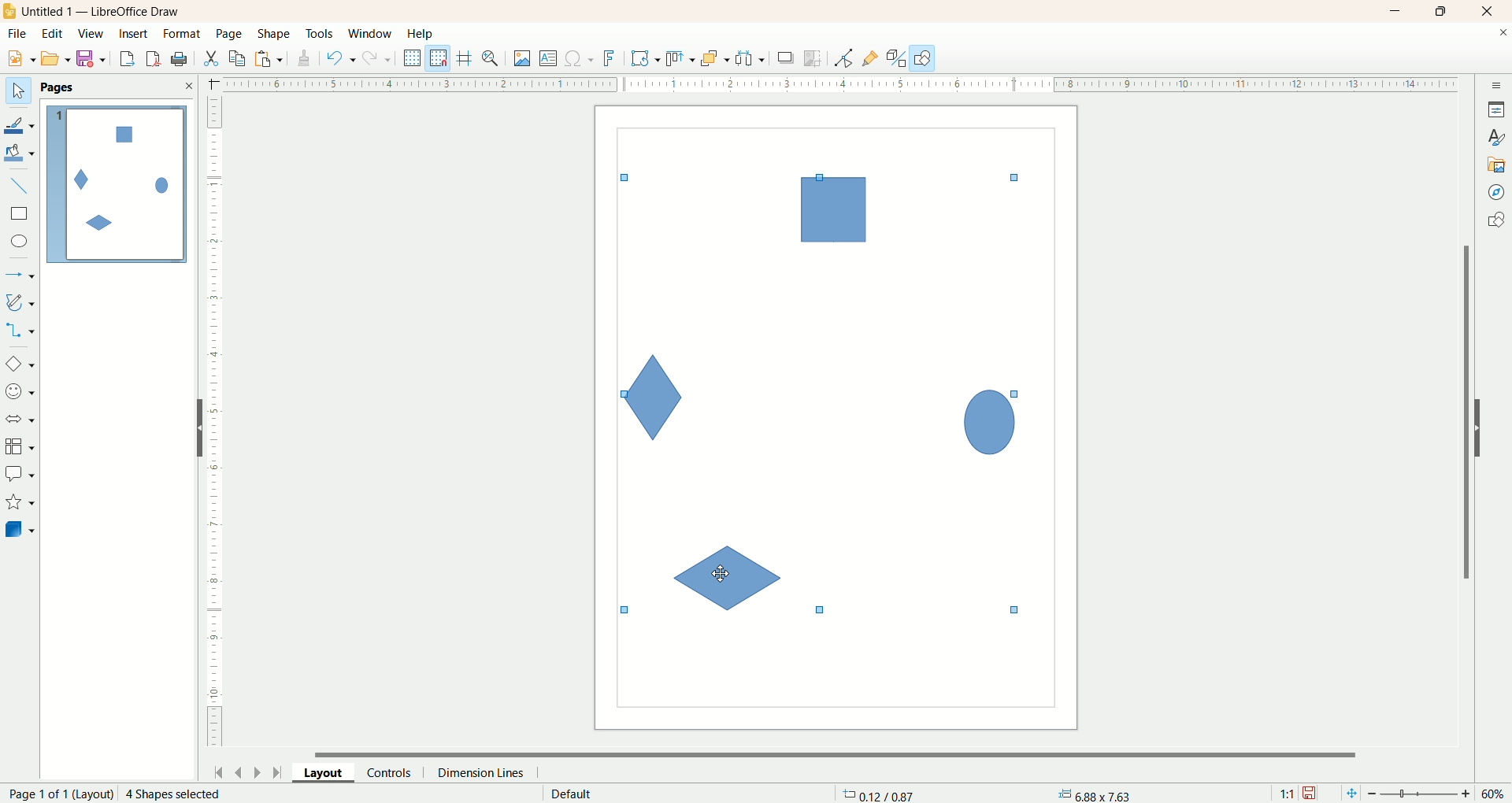 The image size is (1512, 803). What do you see at coordinates (485, 772) in the screenshot?
I see `dimension lines` at bounding box center [485, 772].